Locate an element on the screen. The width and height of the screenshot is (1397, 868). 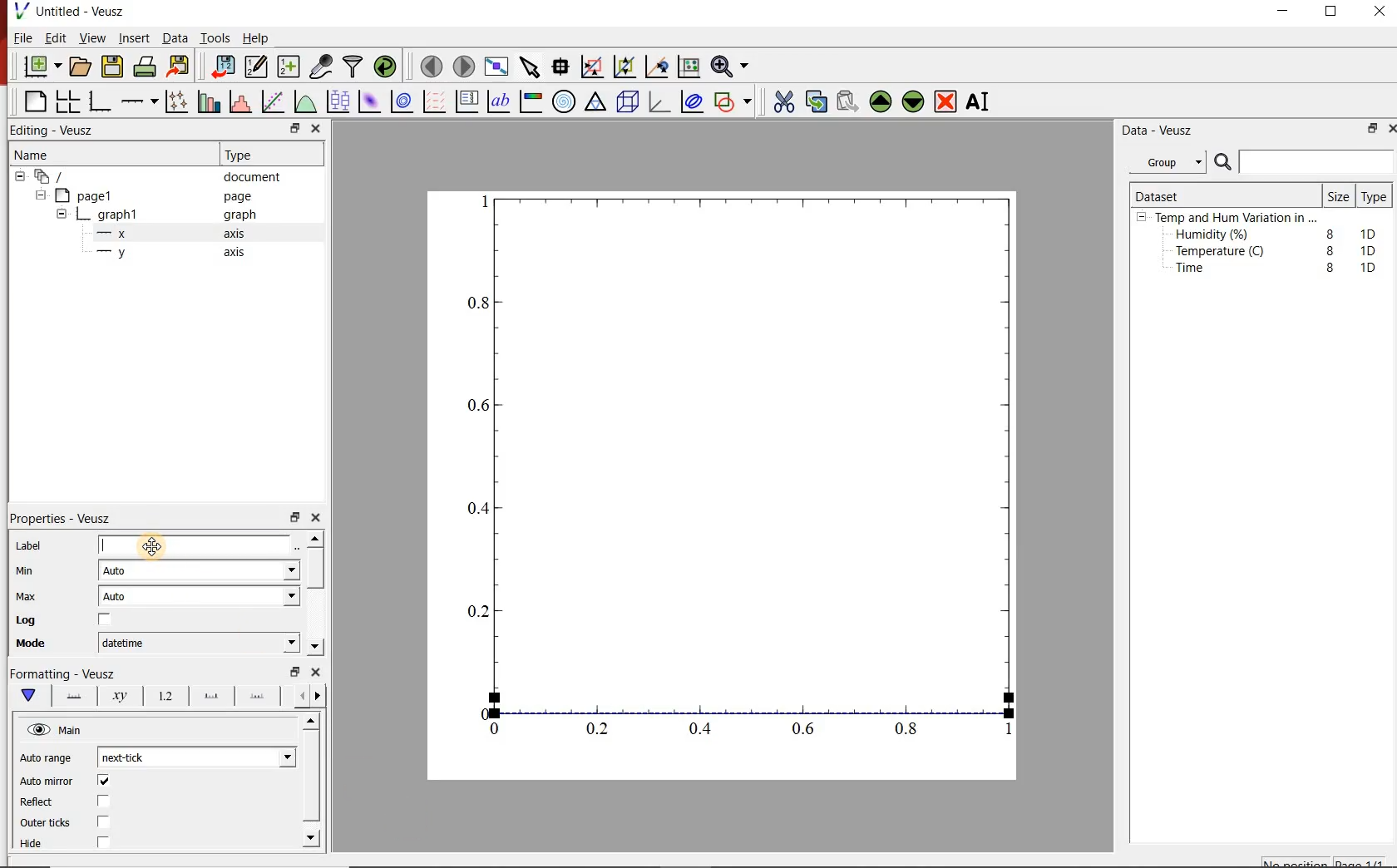
graph is located at coordinates (239, 216).